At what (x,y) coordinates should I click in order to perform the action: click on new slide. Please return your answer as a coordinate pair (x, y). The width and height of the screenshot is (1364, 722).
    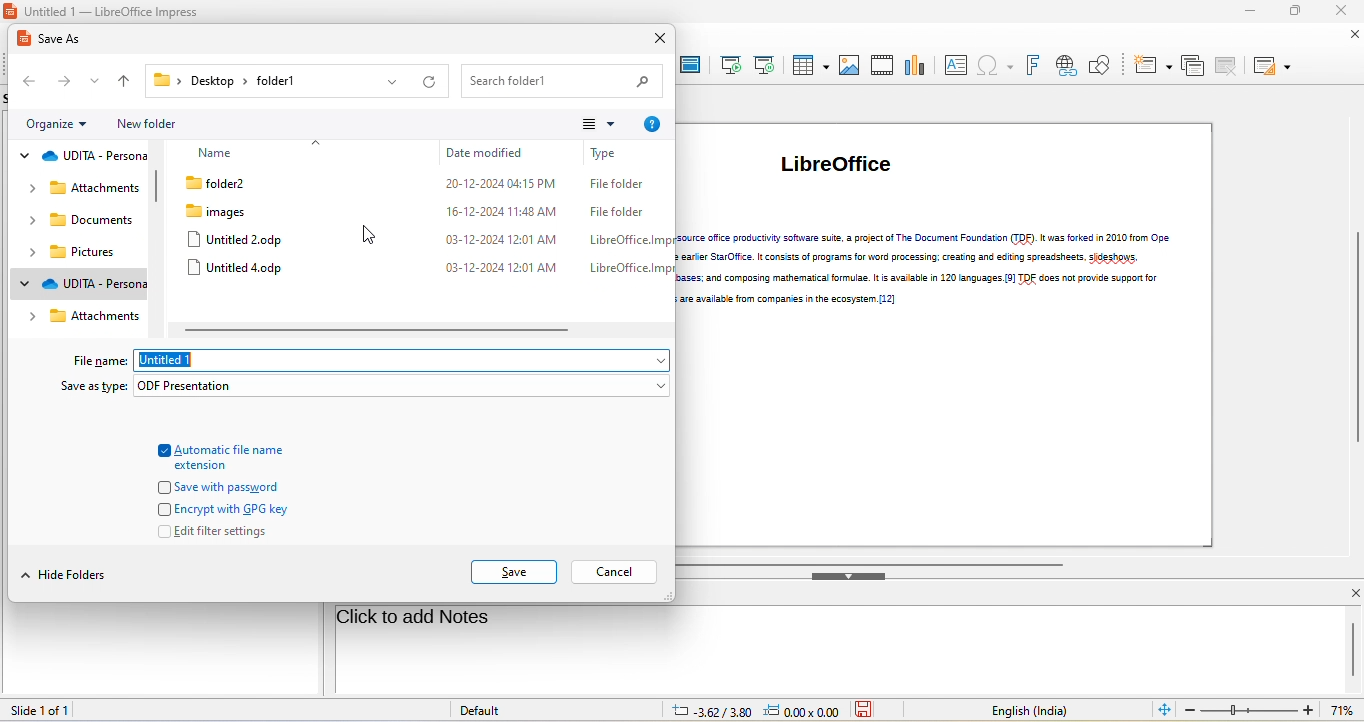
    Looking at the image, I should click on (1154, 66).